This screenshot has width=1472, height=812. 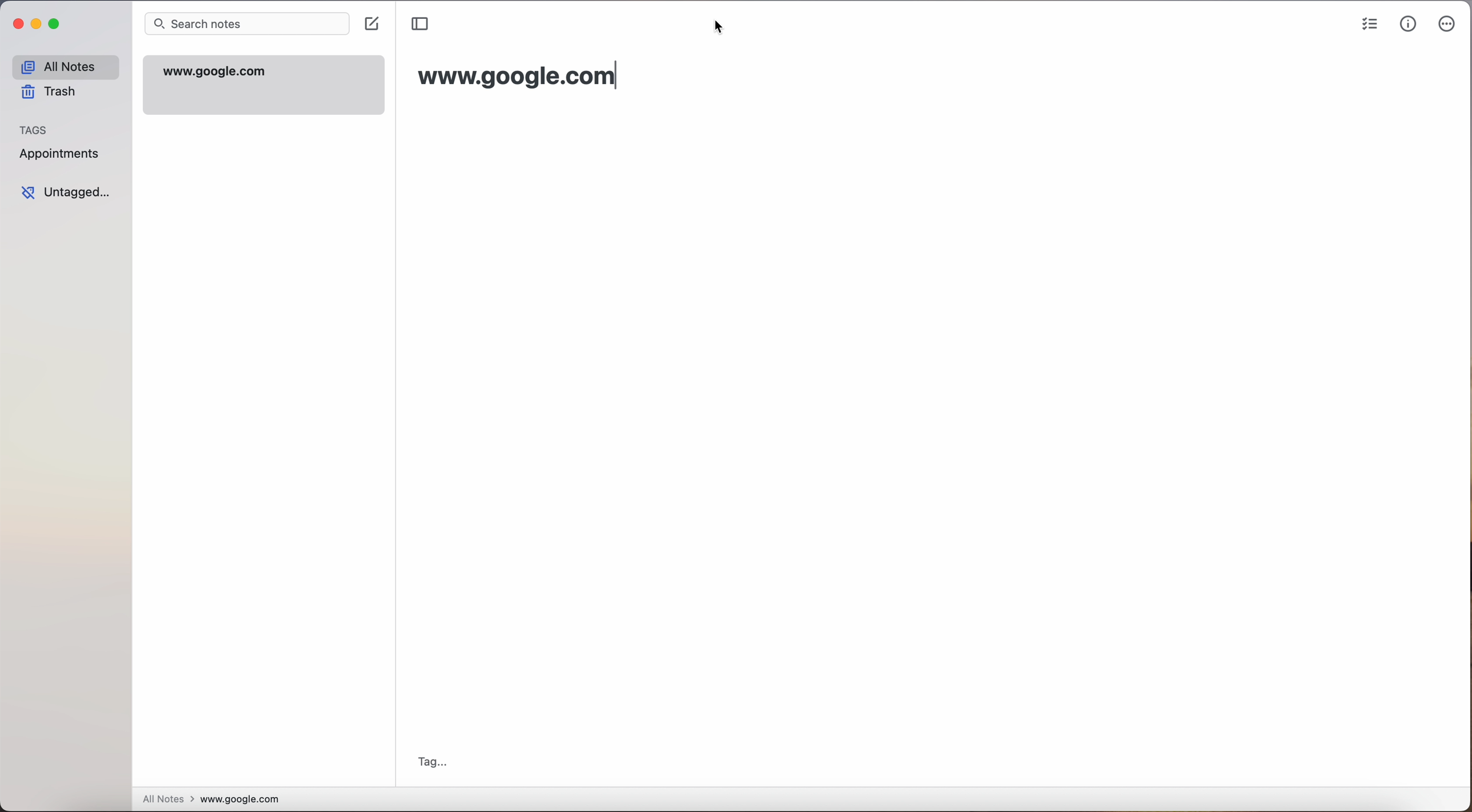 I want to click on cursor, so click(x=723, y=27).